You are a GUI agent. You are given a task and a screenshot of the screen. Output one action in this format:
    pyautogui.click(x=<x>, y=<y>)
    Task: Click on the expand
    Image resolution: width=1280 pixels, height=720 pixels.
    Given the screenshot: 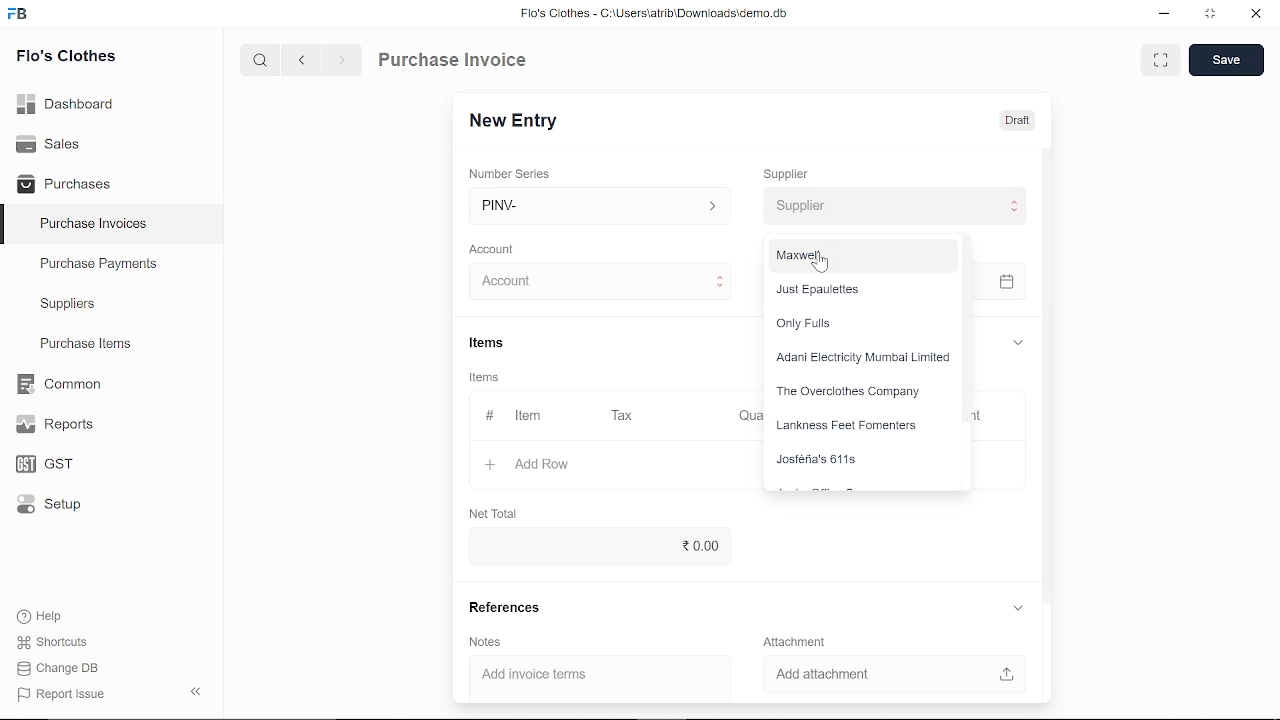 What is the action you would take?
    pyautogui.click(x=1017, y=607)
    